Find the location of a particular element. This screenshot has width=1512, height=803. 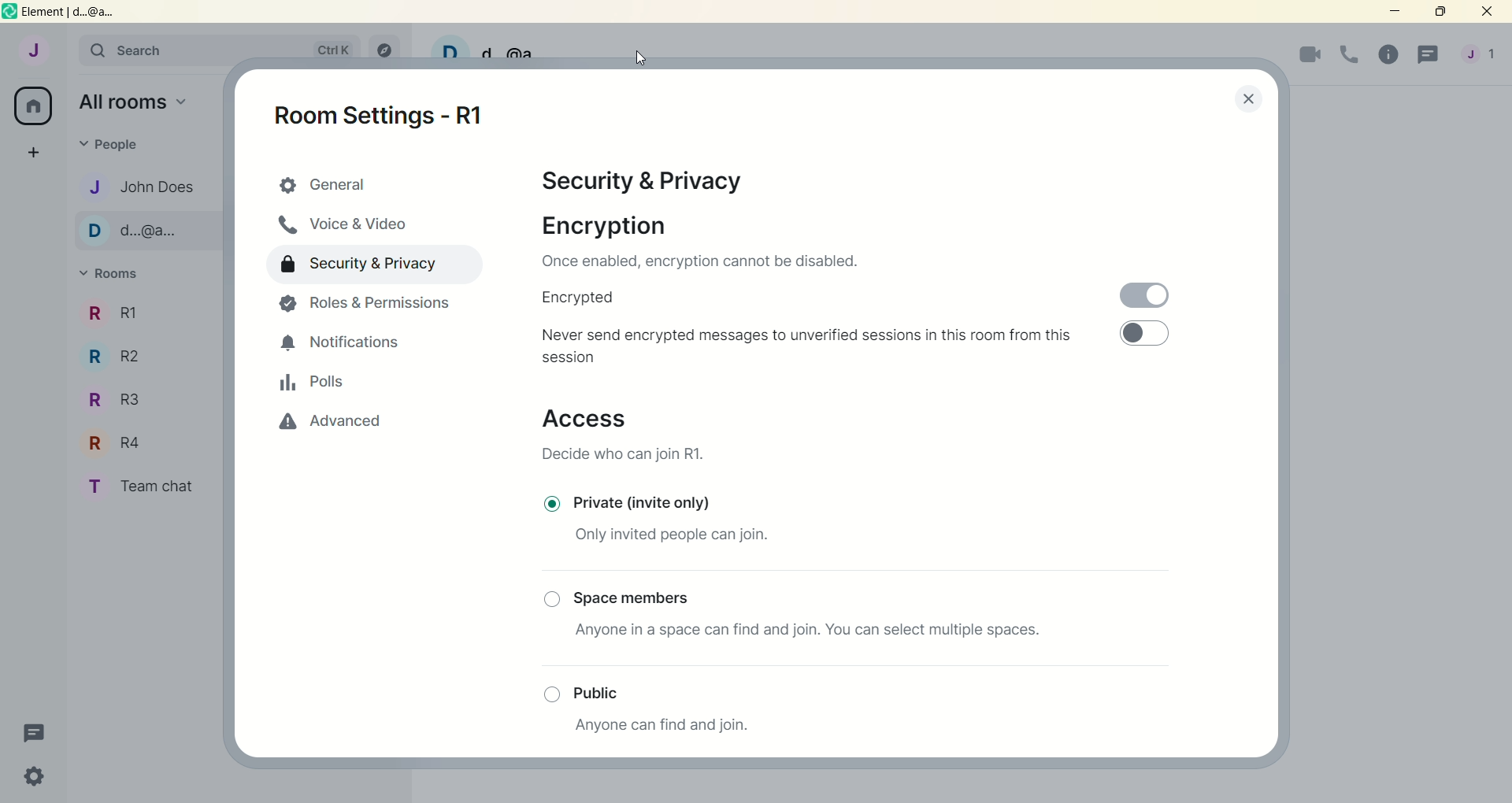

Anyone in a space can find and join. You can select multiple spaces. is located at coordinates (806, 630).